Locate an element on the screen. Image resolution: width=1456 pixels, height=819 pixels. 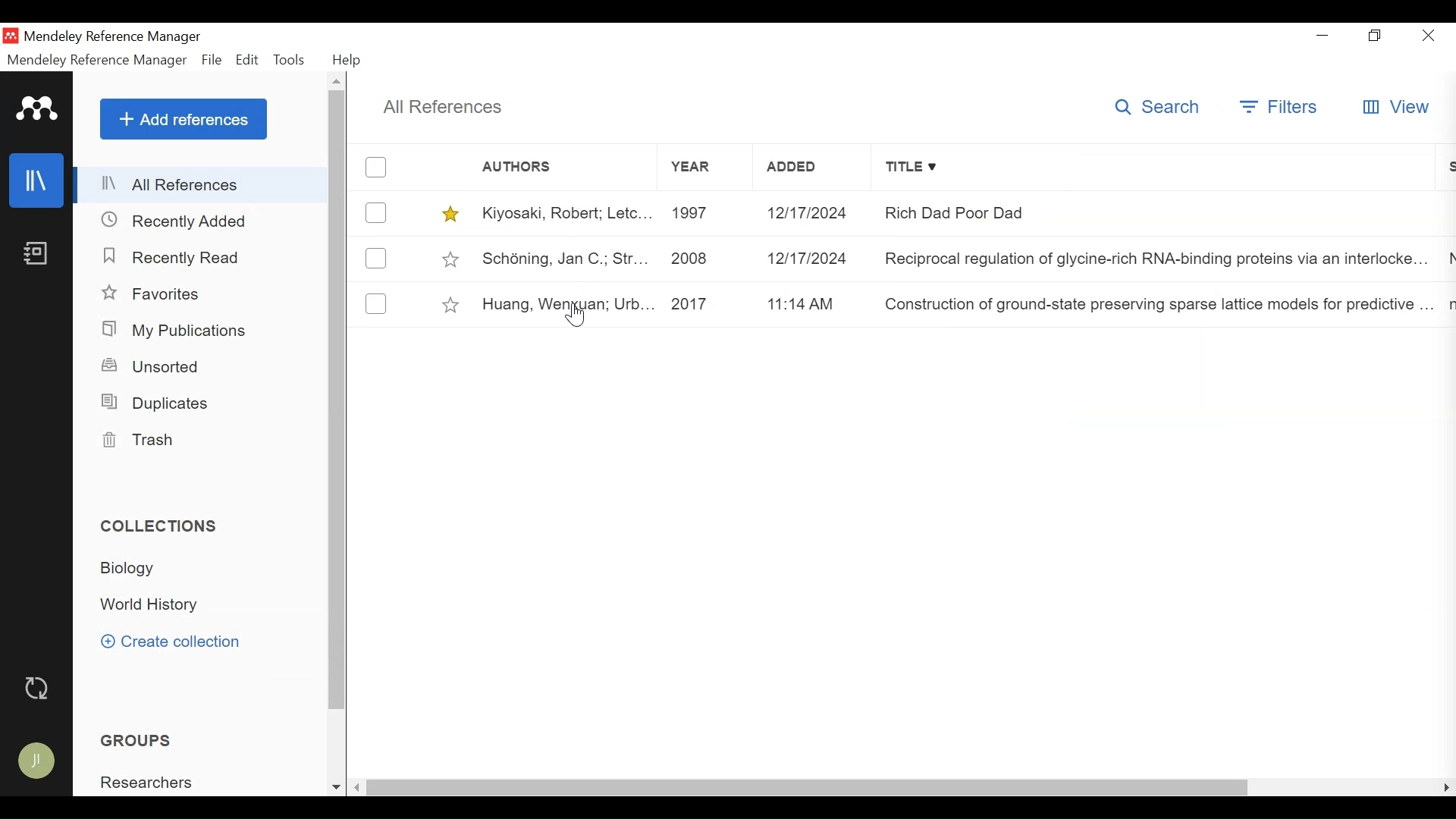
Rich Dad Poor Dad is located at coordinates (961, 212).